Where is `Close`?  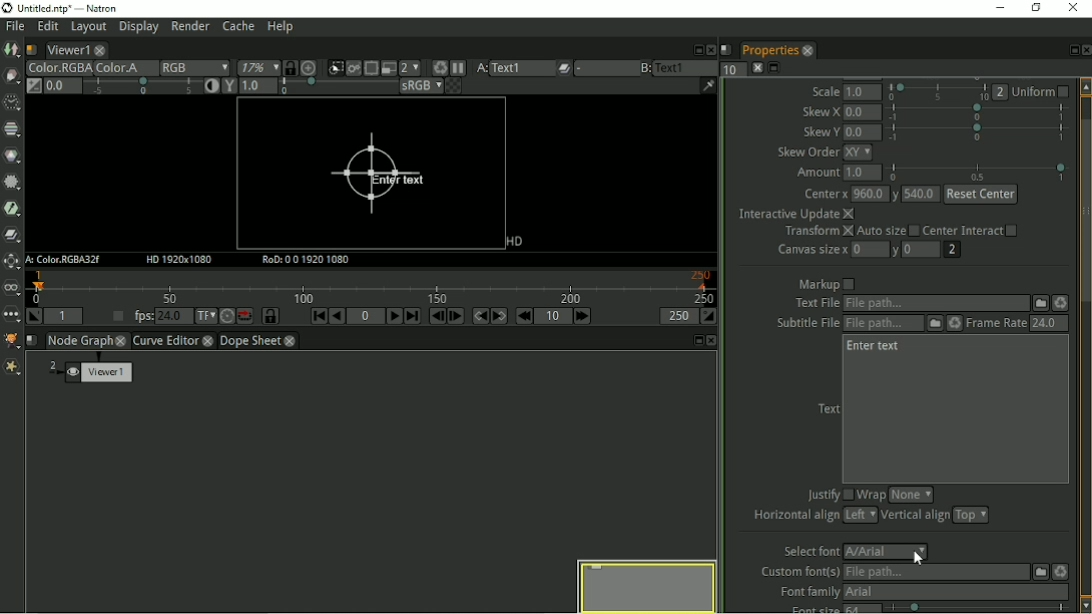 Close is located at coordinates (713, 341).